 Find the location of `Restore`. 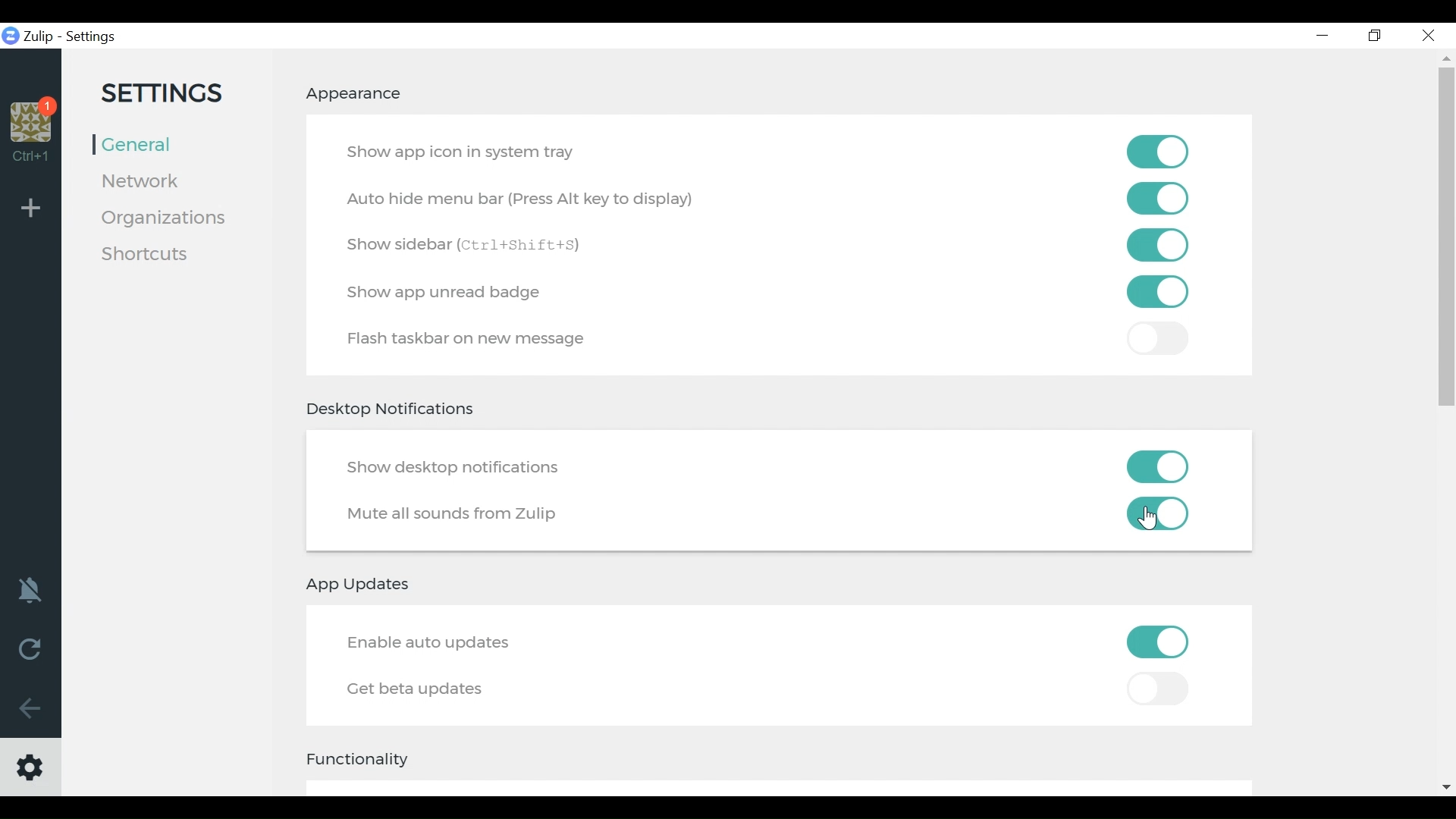

Restore is located at coordinates (1376, 36).